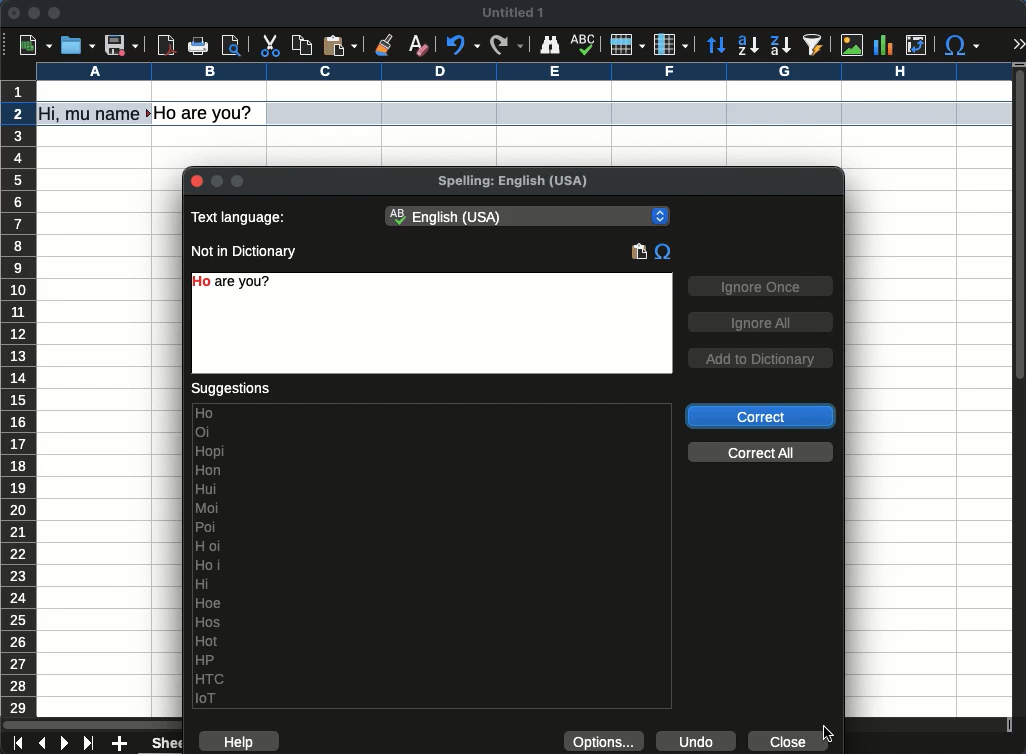  What do you see at coordinates (210, 698) in the screenshot?
I see `IoT` at bounding box center [210, 698].